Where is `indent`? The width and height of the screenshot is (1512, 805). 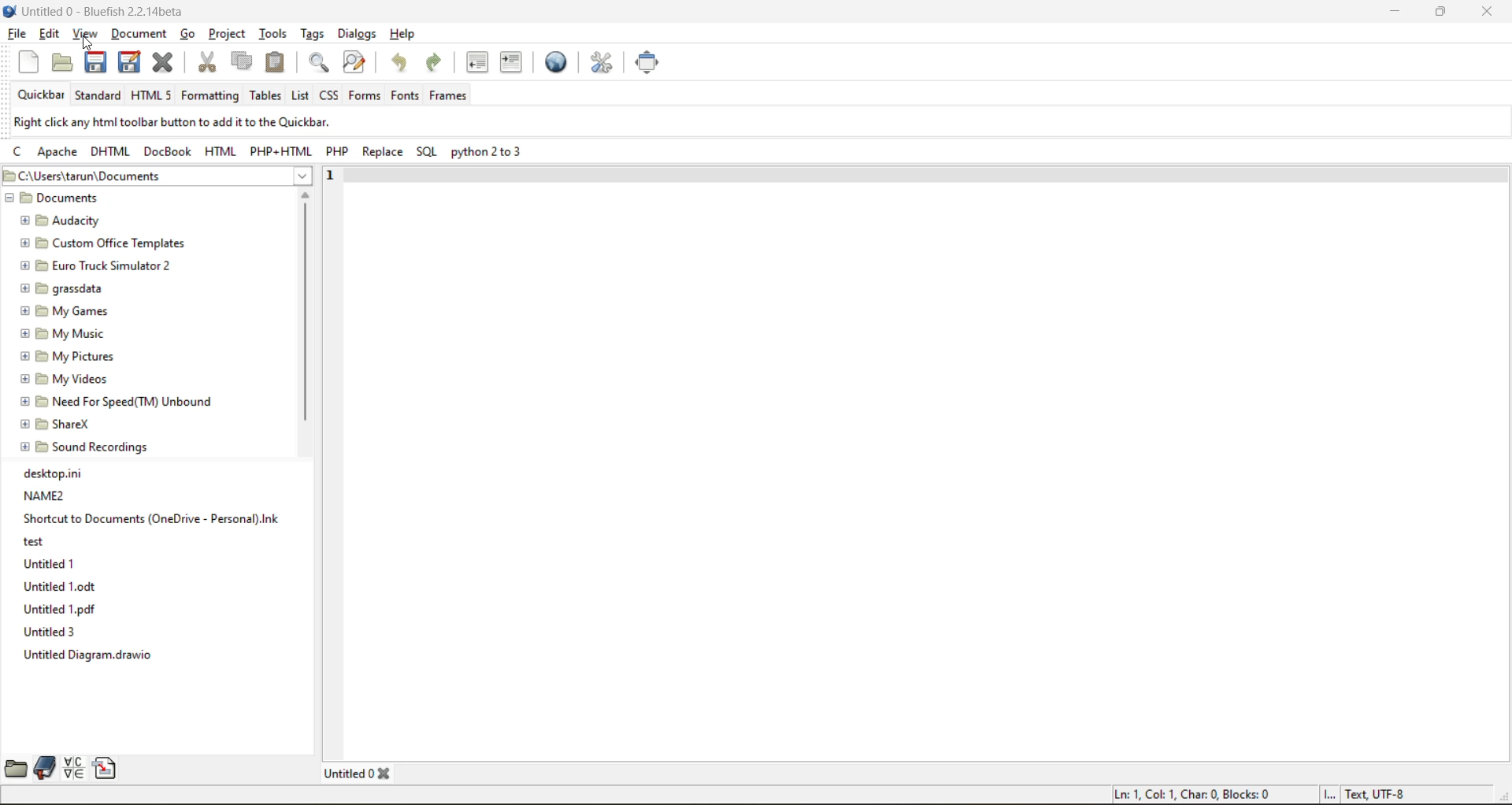
indent is located at coordinates (511, 63).